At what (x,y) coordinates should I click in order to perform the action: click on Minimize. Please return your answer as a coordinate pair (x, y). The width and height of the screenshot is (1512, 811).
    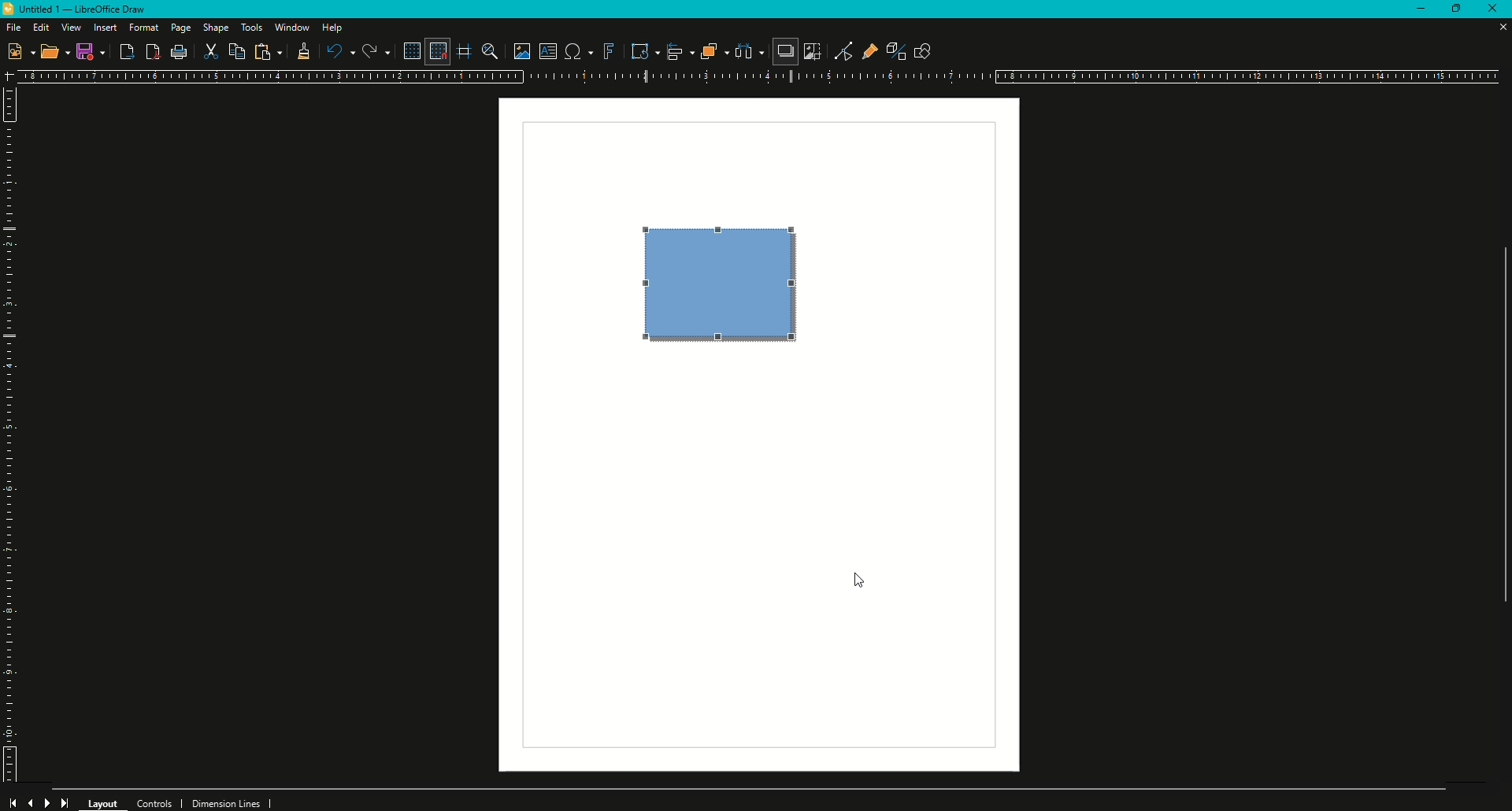
    Looking at the image, I should click on (1413, 11).